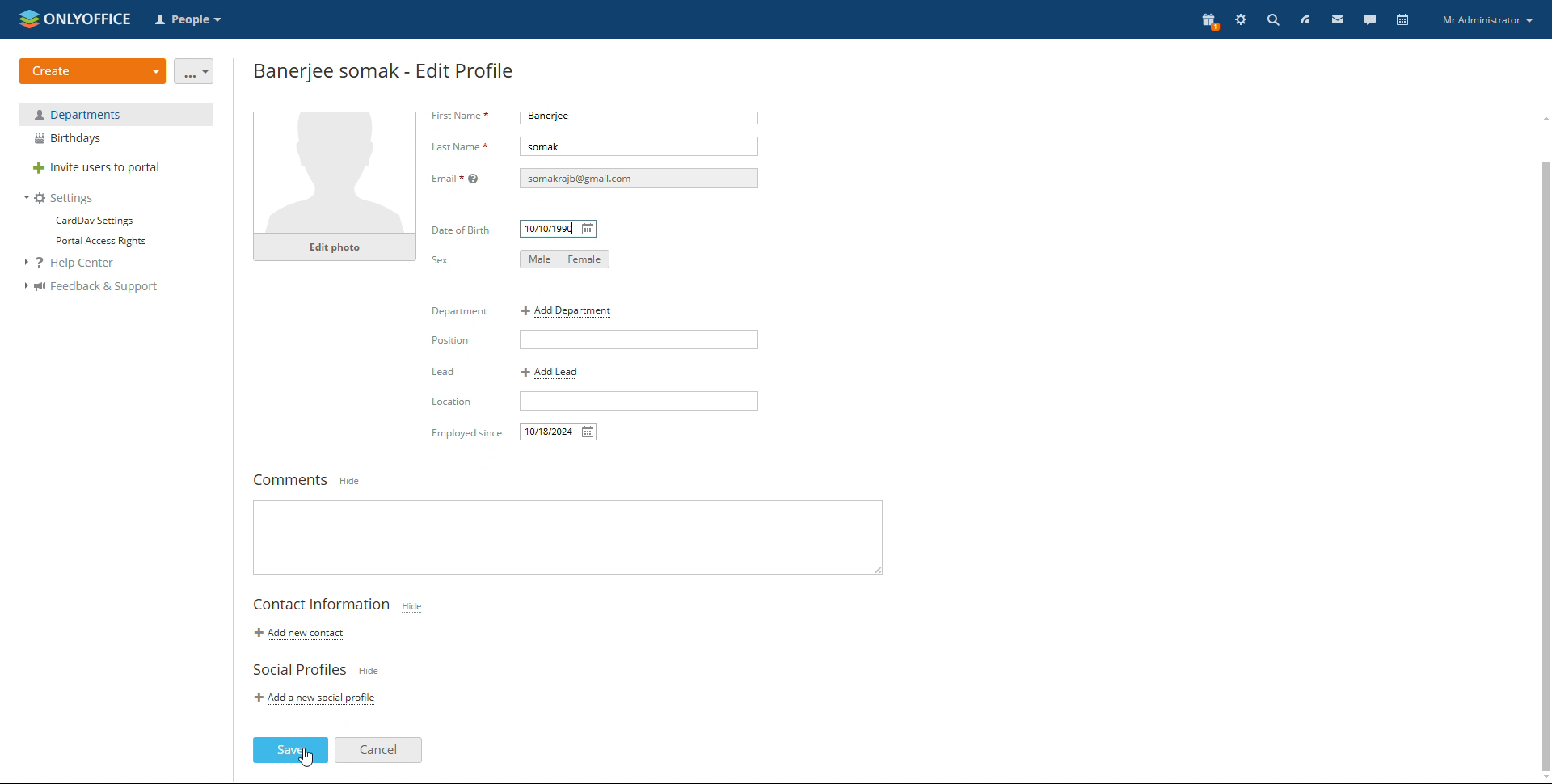  I want to click on sex, so click(441, 260).